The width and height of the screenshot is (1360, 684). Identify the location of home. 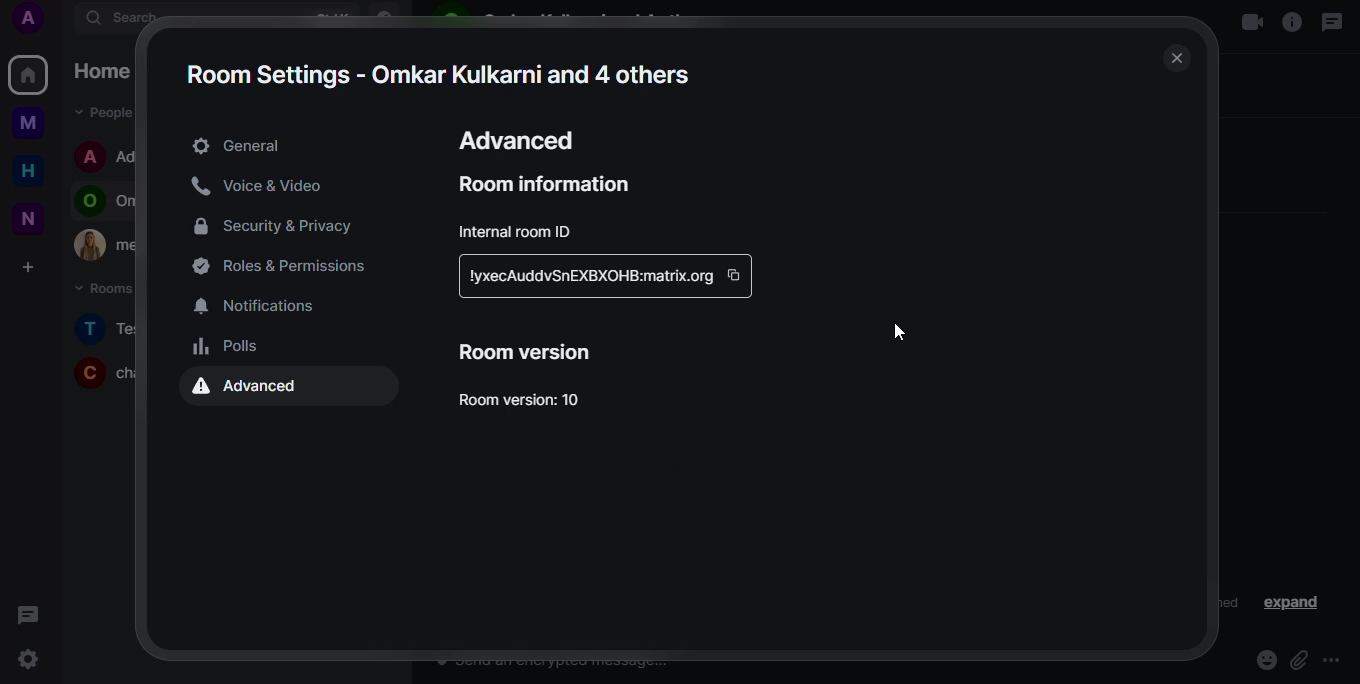
(27, 172).